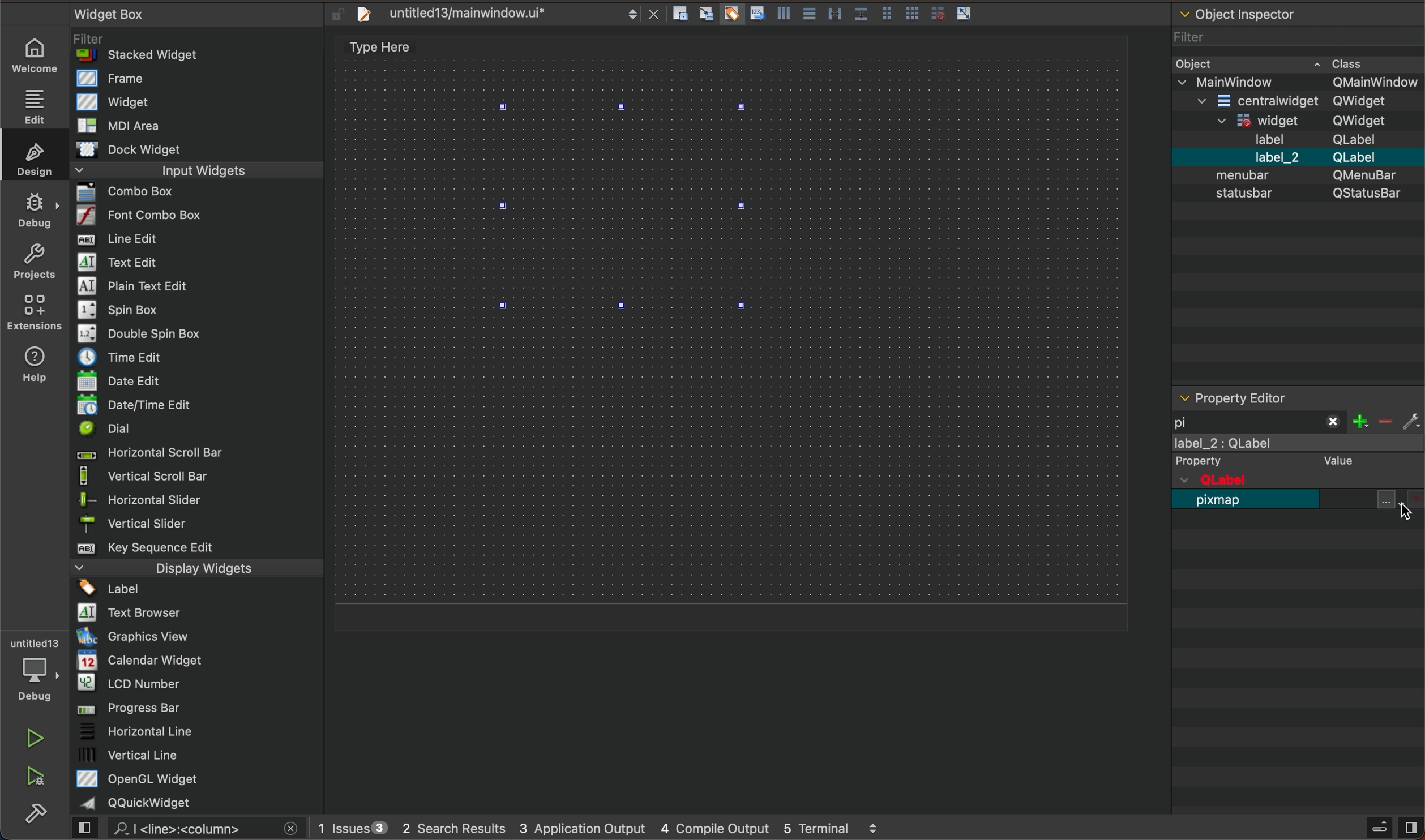 The height and width of the screenshot is (840, 1425). What do you see at coordinates (1389, 419) in the screenshot?
I see `filter` at bounding box center [1389, 419].